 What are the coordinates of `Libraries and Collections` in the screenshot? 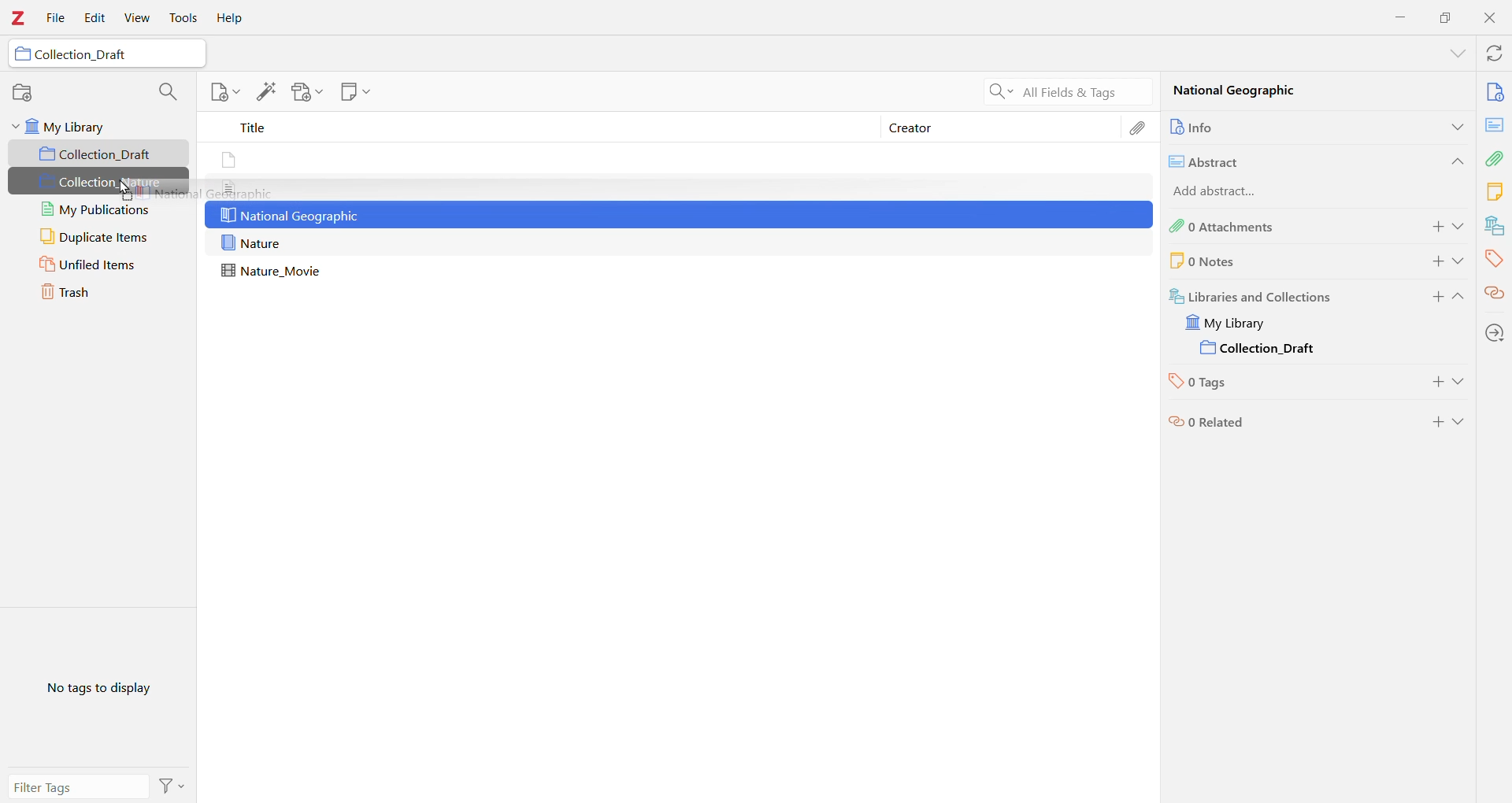 It's located at (1493, 226).